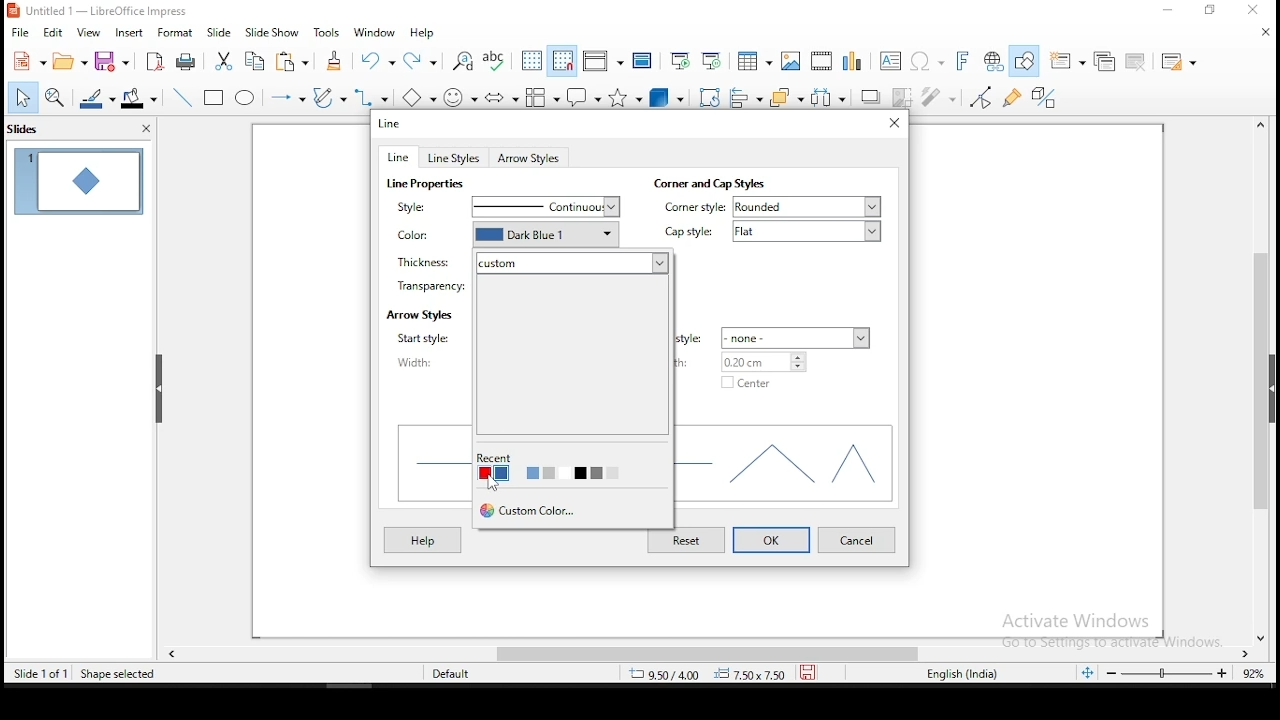 The image size is (1280, 720). I want to click on new slide, so click(1066, 60).